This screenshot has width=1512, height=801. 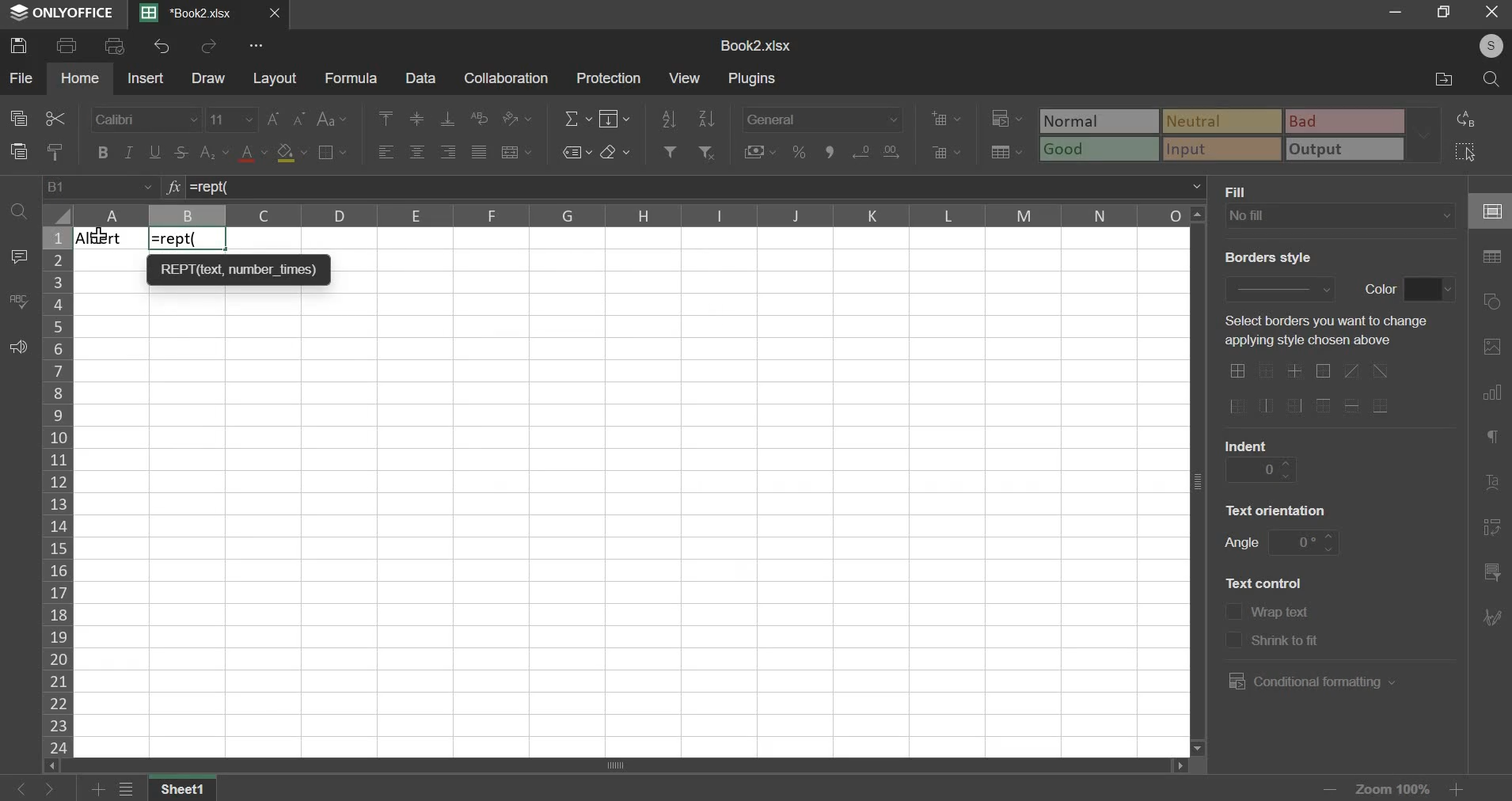 I want to click on spreadsheet, so click(x=754, y=44).